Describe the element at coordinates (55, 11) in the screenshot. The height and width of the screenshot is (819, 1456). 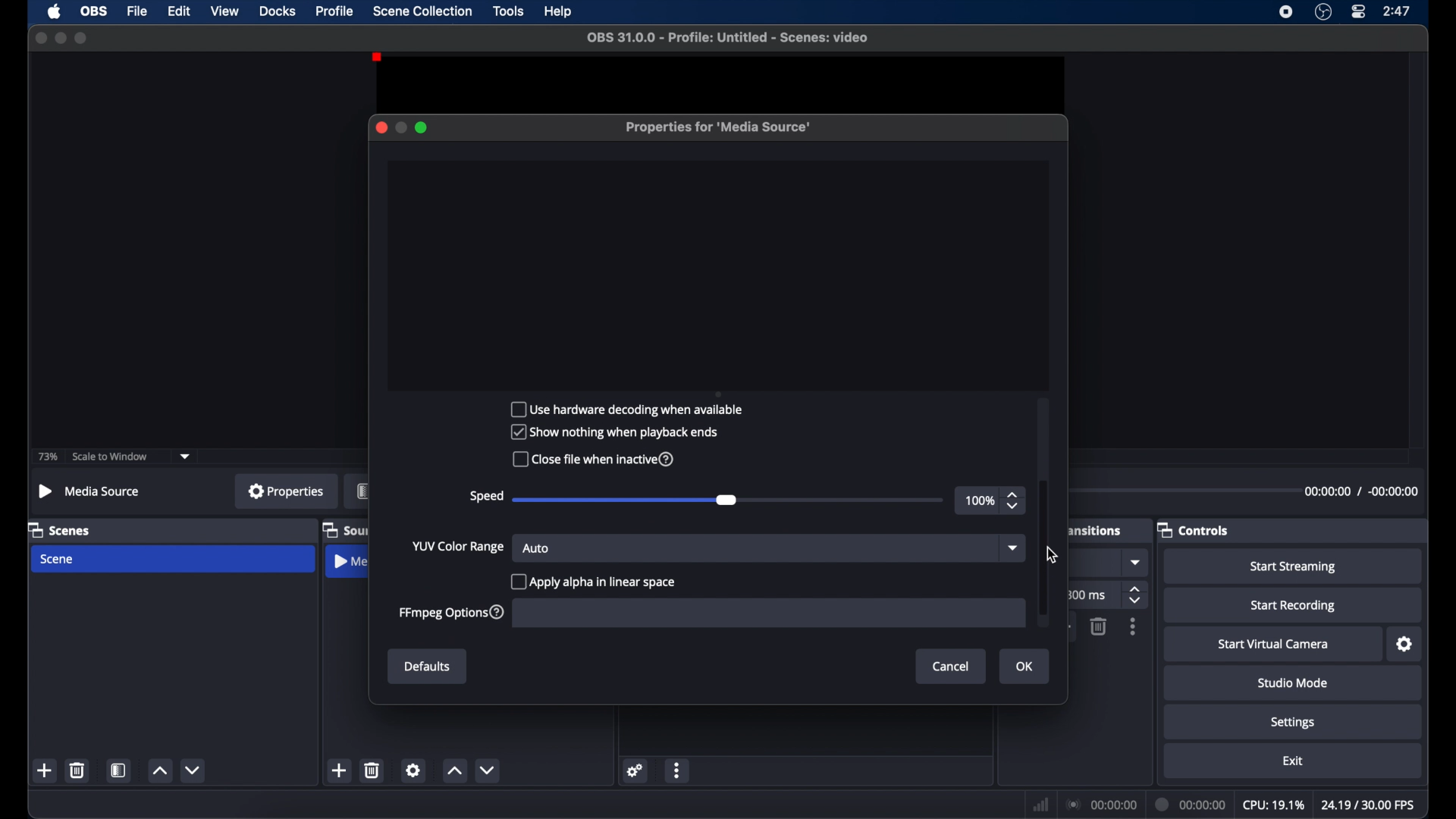
I see `apple icon` at that location.